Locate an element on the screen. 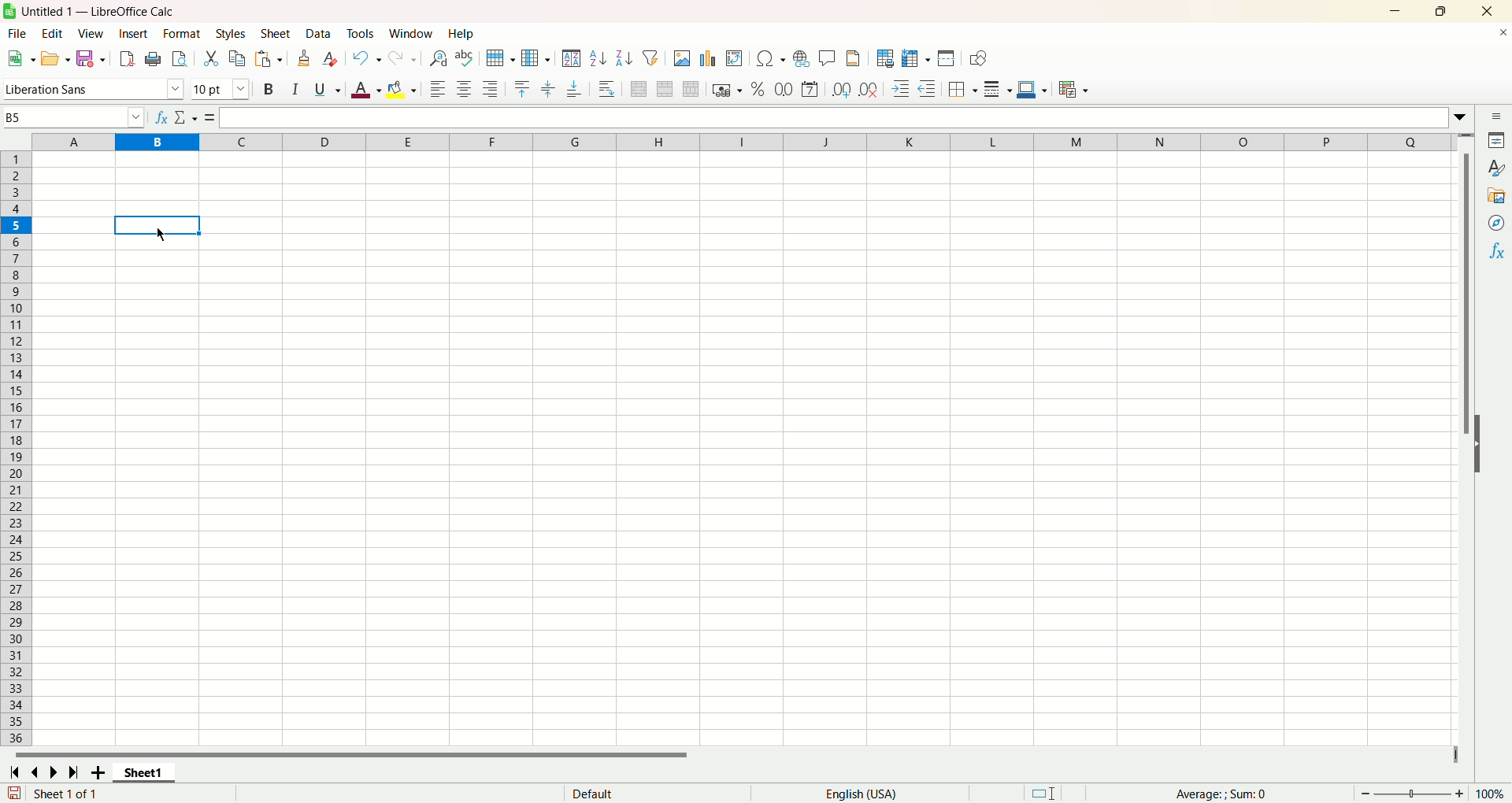 The width and height of the screenshot is (1512, 803). sheet number is located at coordinates (50, 794).